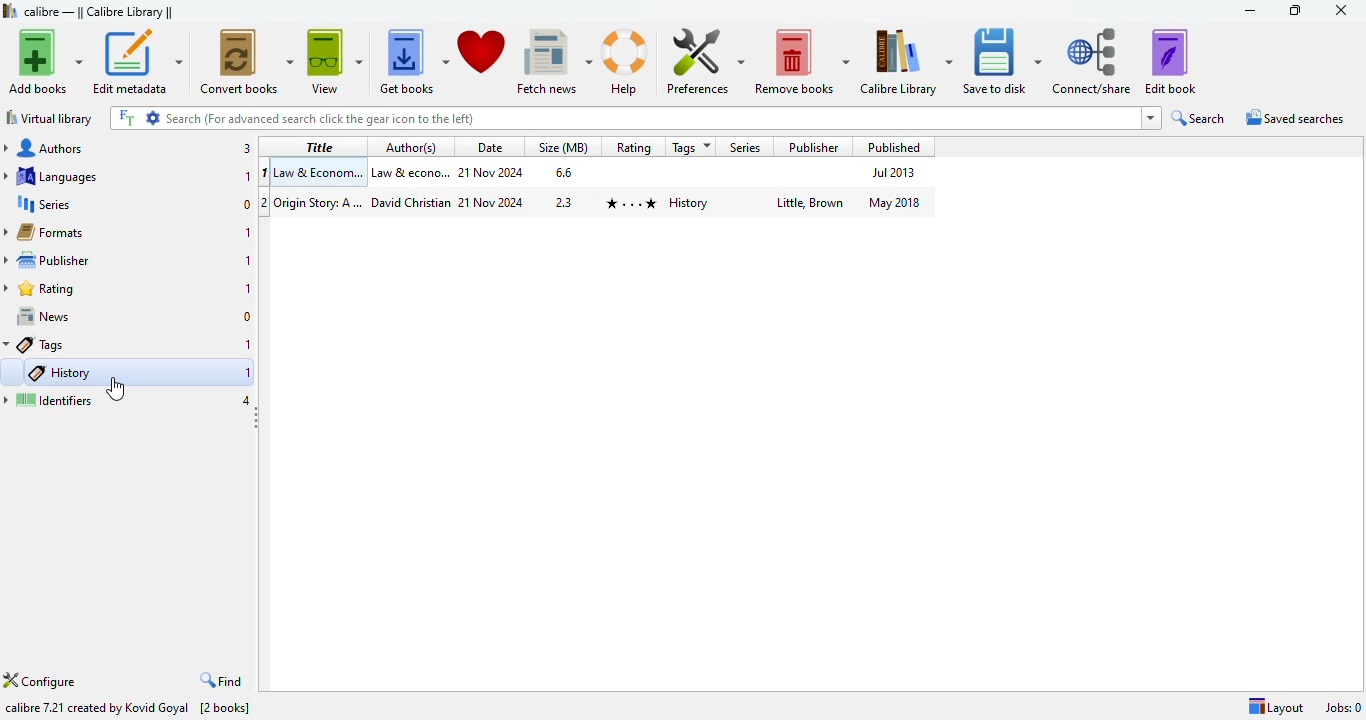  Describe the element at coordinates (631, 204) in the screenshot. I see `4 stars` at that location.